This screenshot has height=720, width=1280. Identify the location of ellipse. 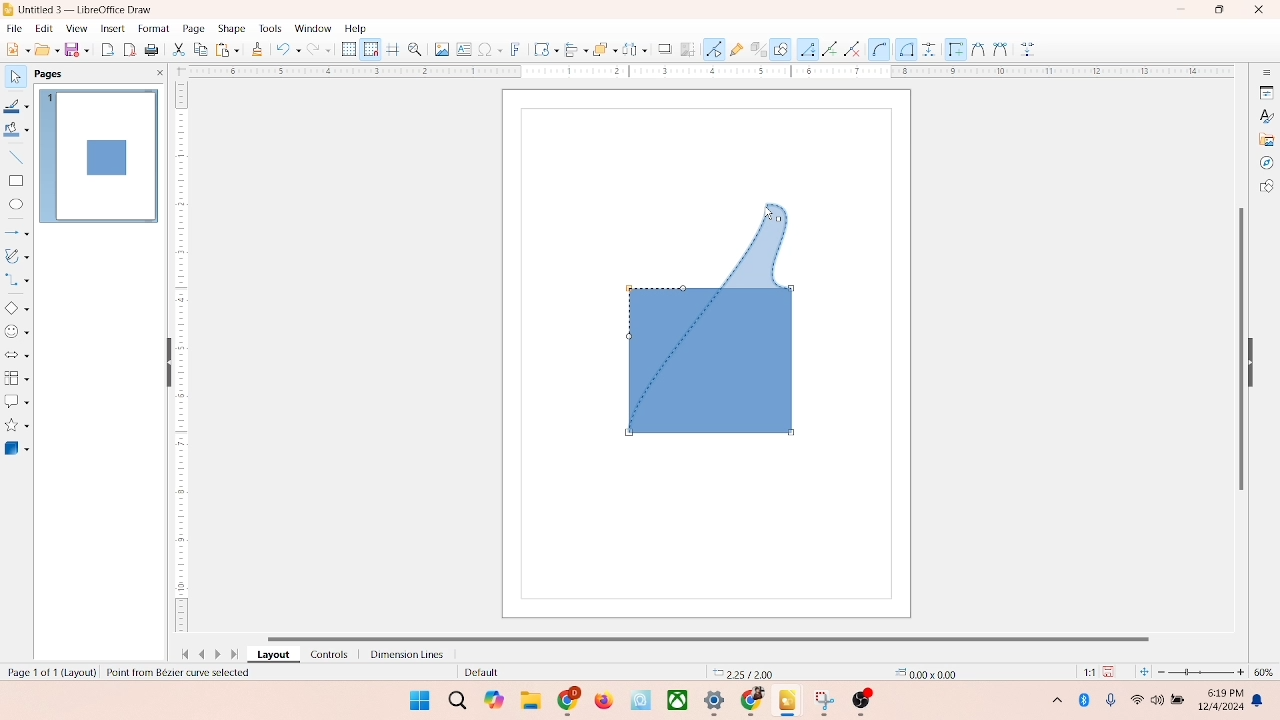
(16, 205).